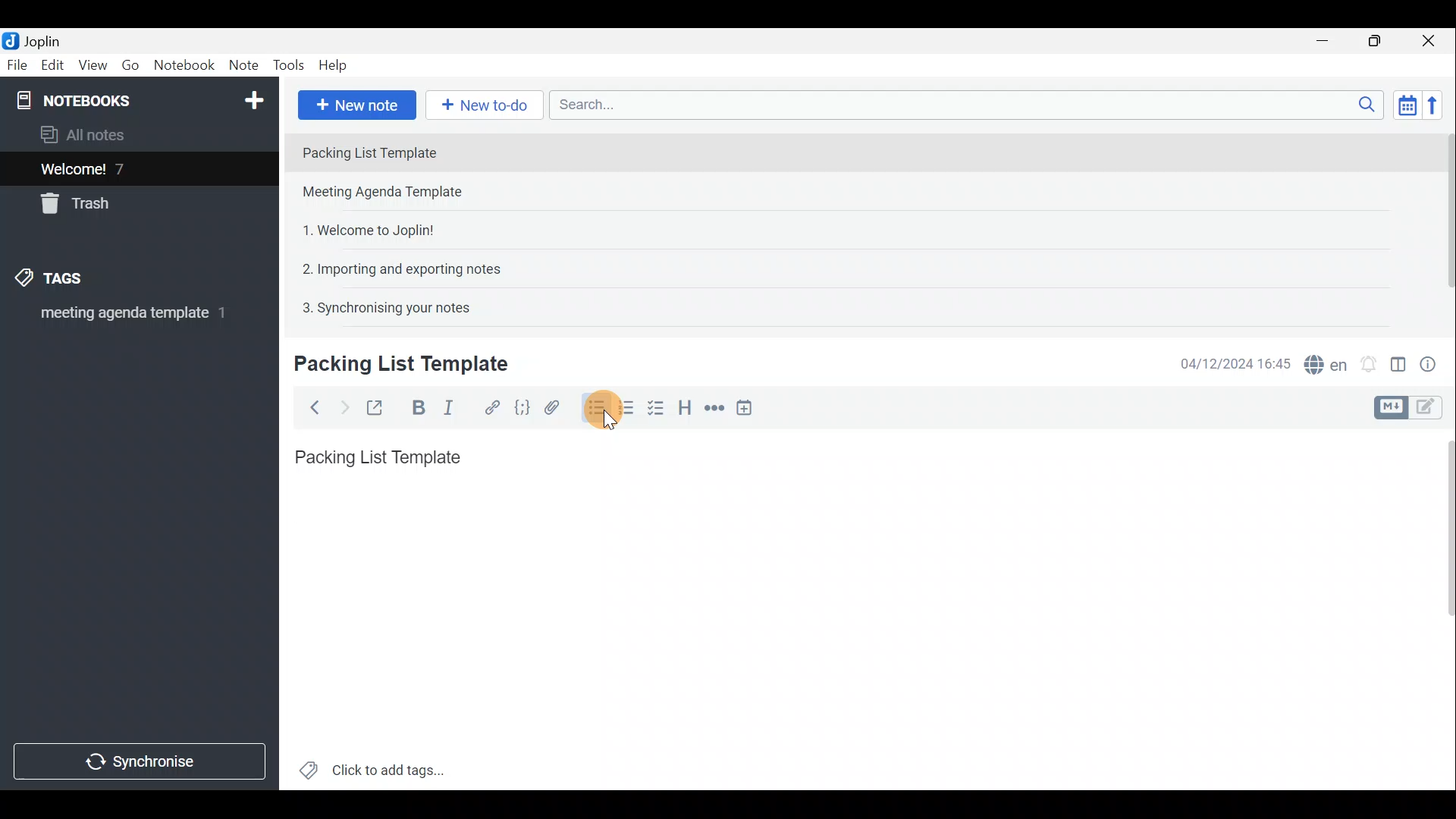 The height and width of the screenshot is (819, 1456). What do you see at coordinates (94, 65) in the screenshot?
I see `View` at bounding box center [94, 65].